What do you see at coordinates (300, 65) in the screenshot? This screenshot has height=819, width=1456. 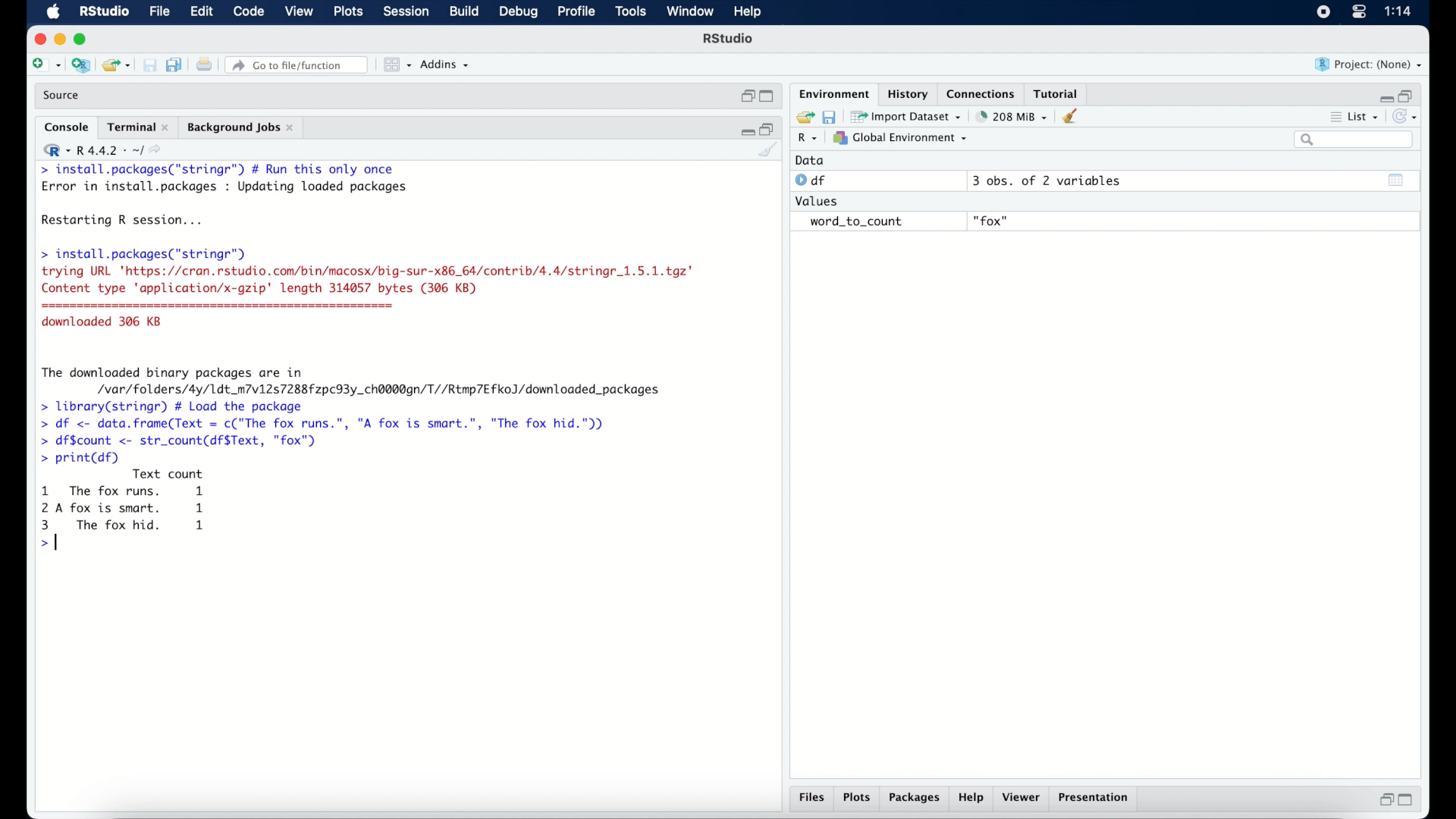 I see `go to file/function` at bounding box center [300, 65].